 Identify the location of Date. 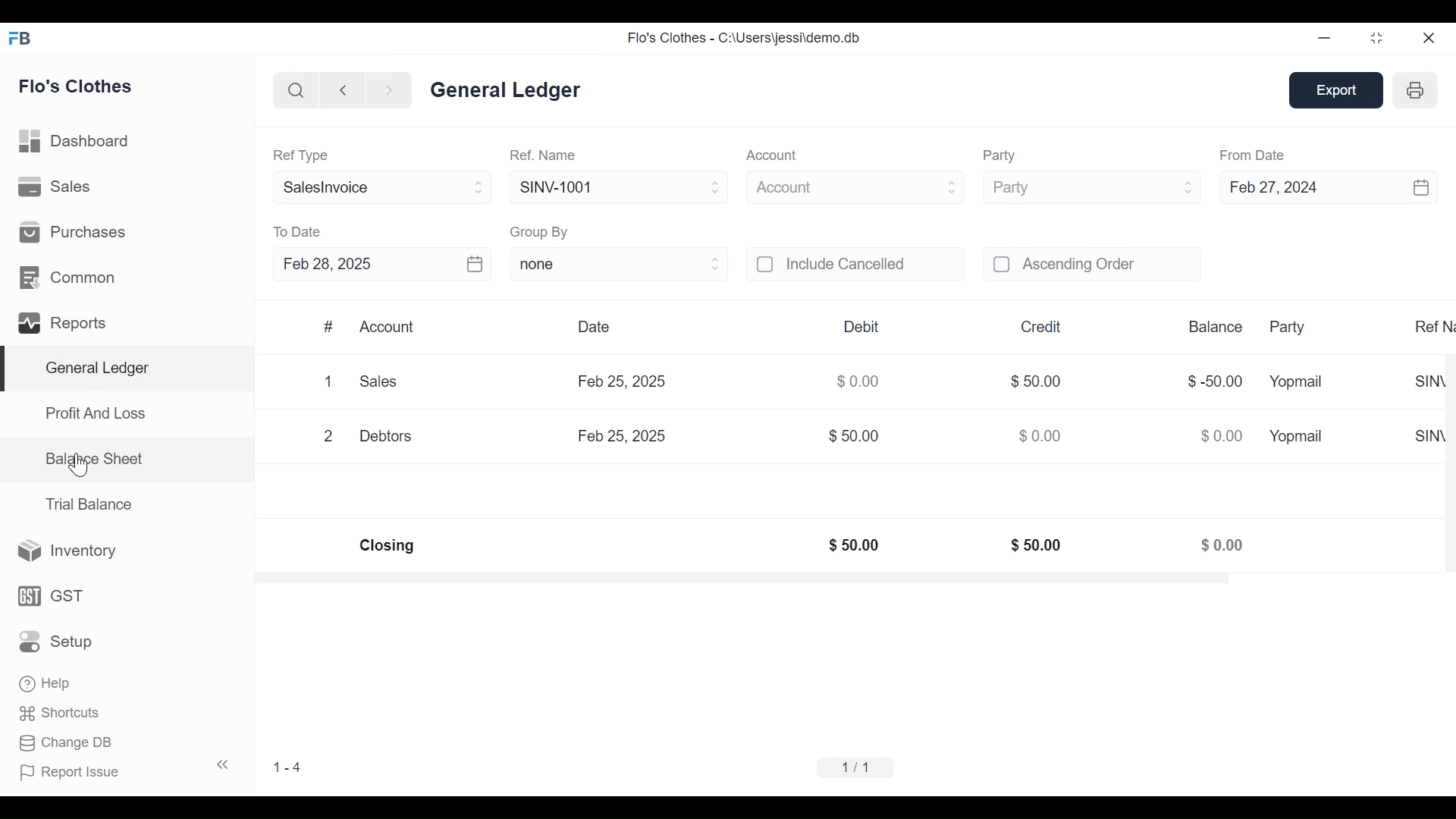
(598, 328).